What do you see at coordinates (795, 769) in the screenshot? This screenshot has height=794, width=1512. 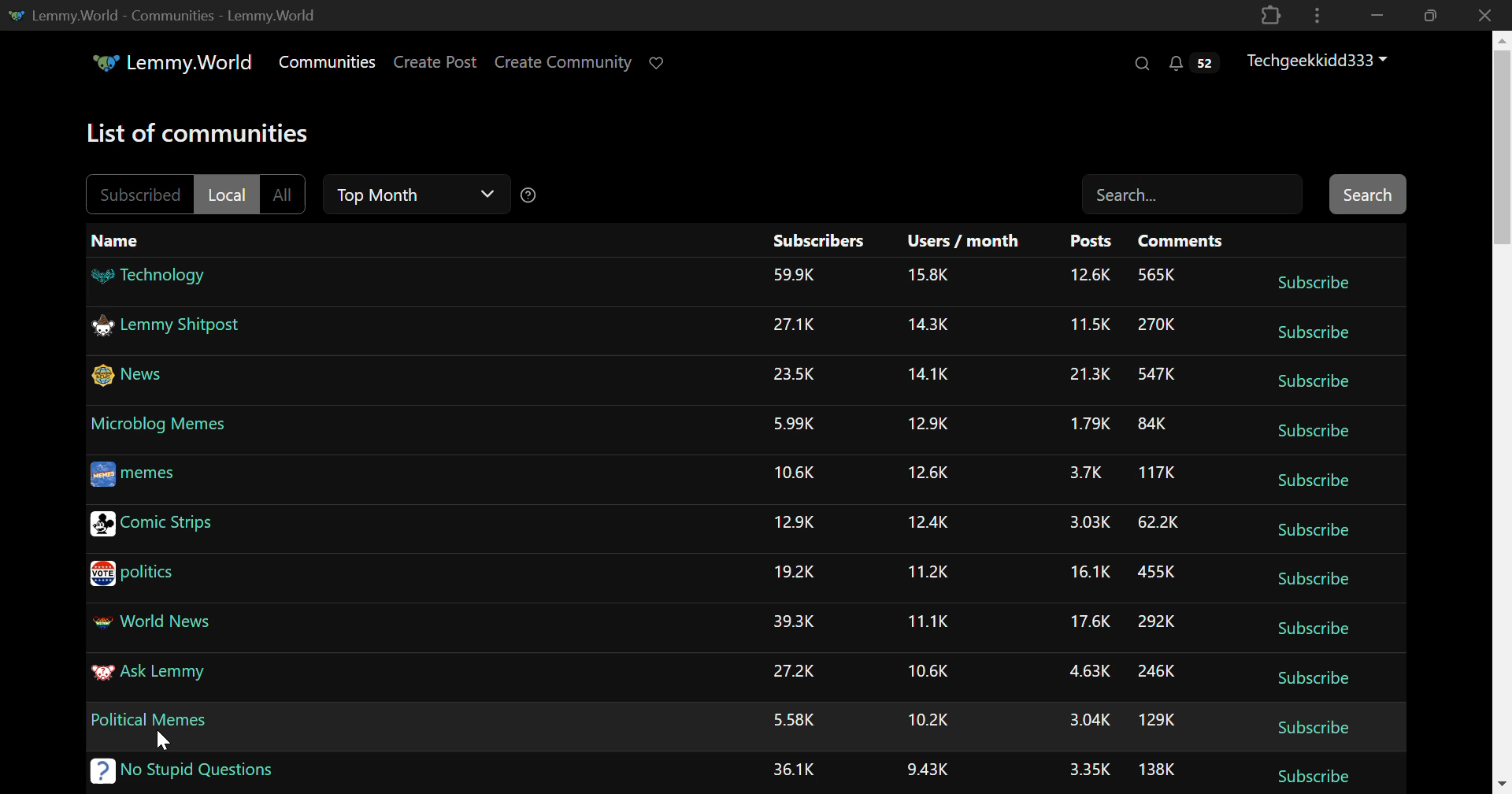 I see `Amount` at bounding box center [795, 769].